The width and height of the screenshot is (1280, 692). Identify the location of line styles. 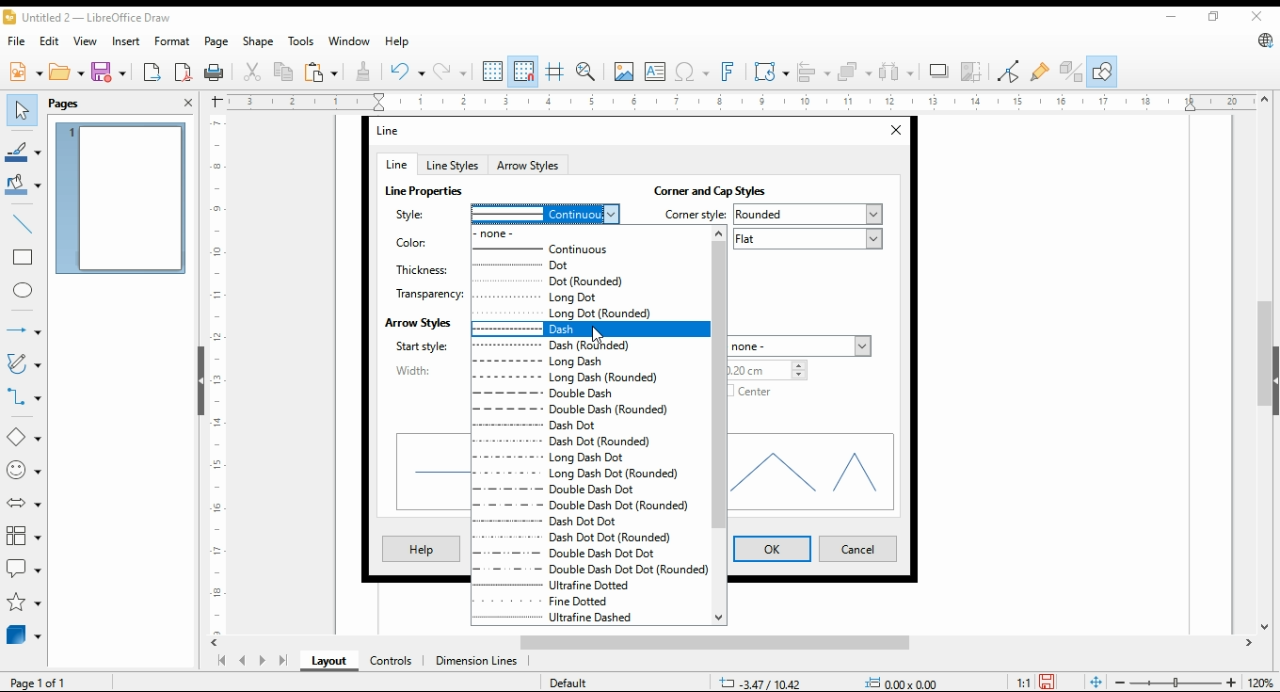
(451, 165).